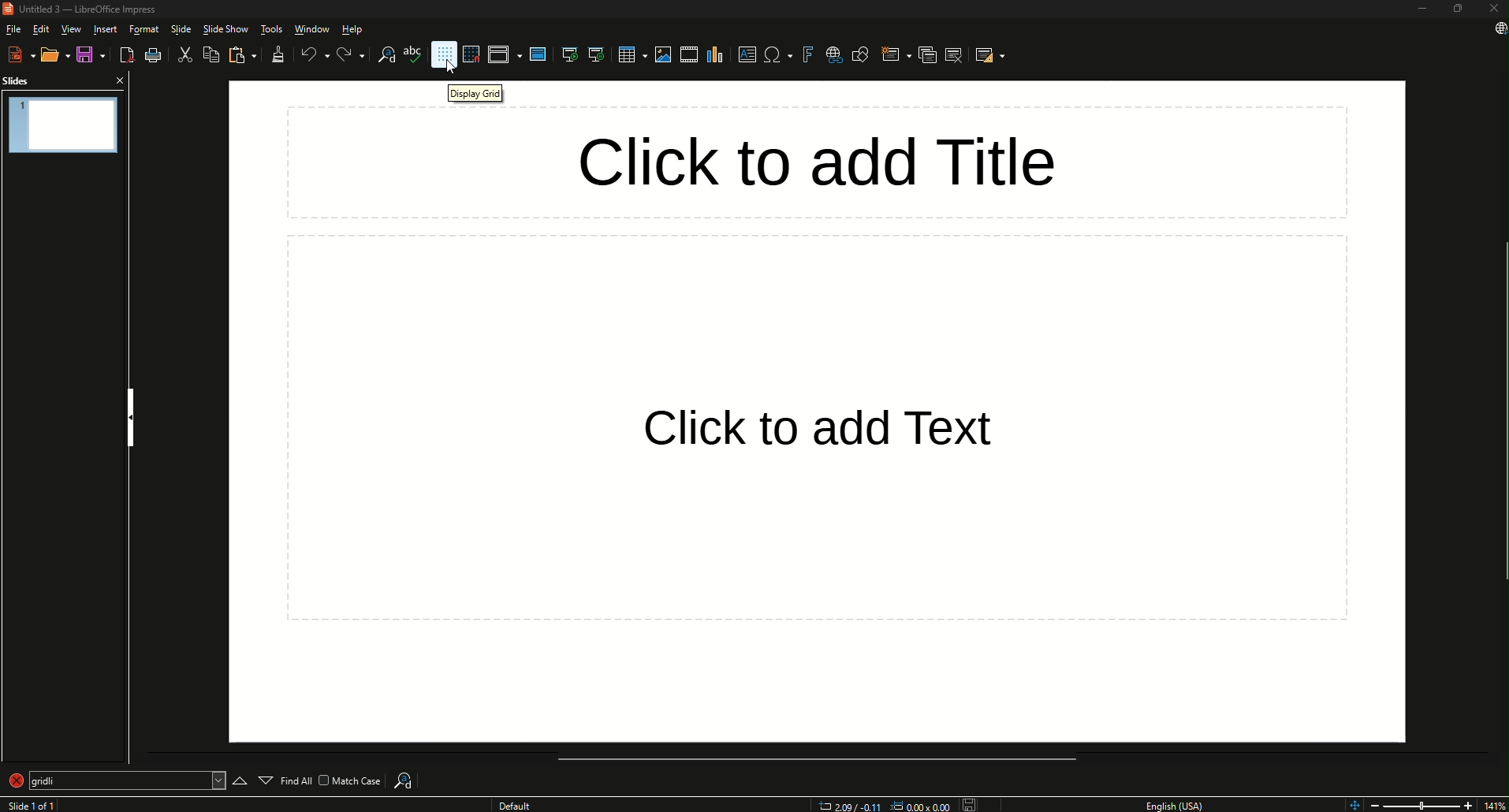 This screenshot has height=812, width=1509. I want to click on Snap to grid, so click(475, 54).